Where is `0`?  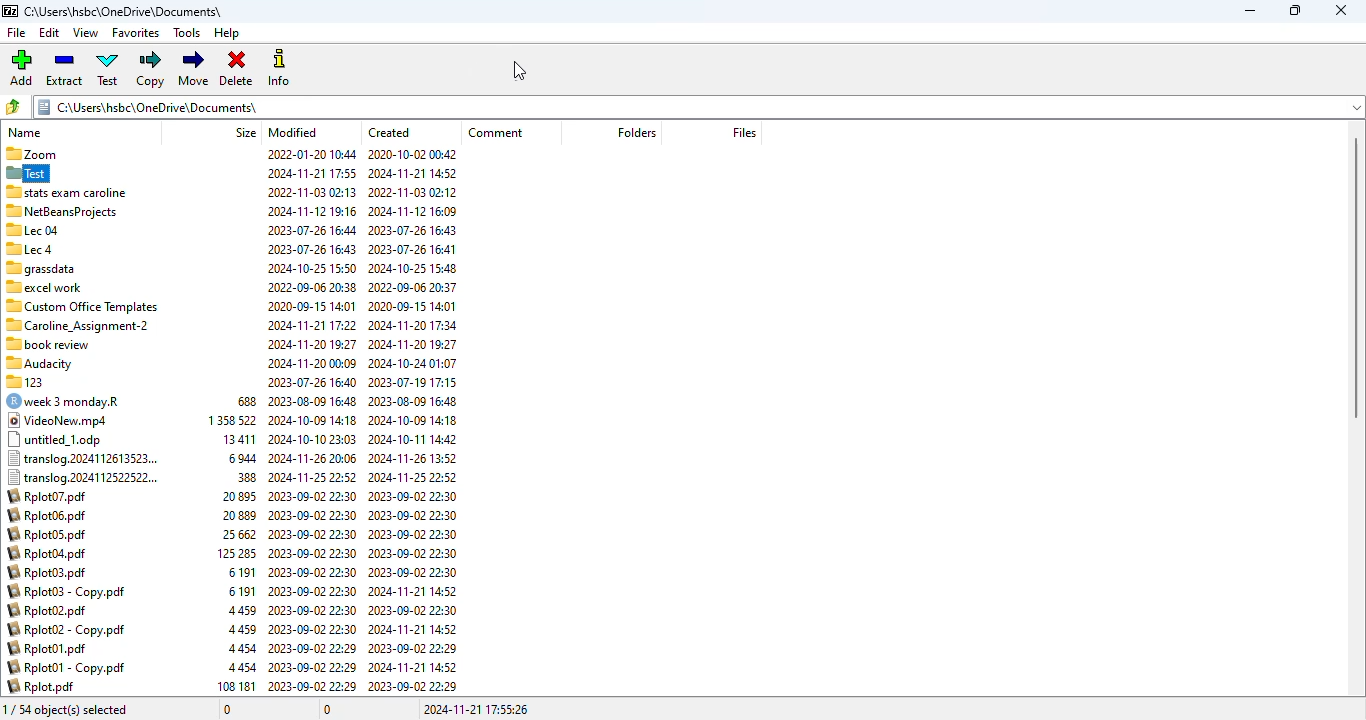
0 is located at coordinates (326, 710).